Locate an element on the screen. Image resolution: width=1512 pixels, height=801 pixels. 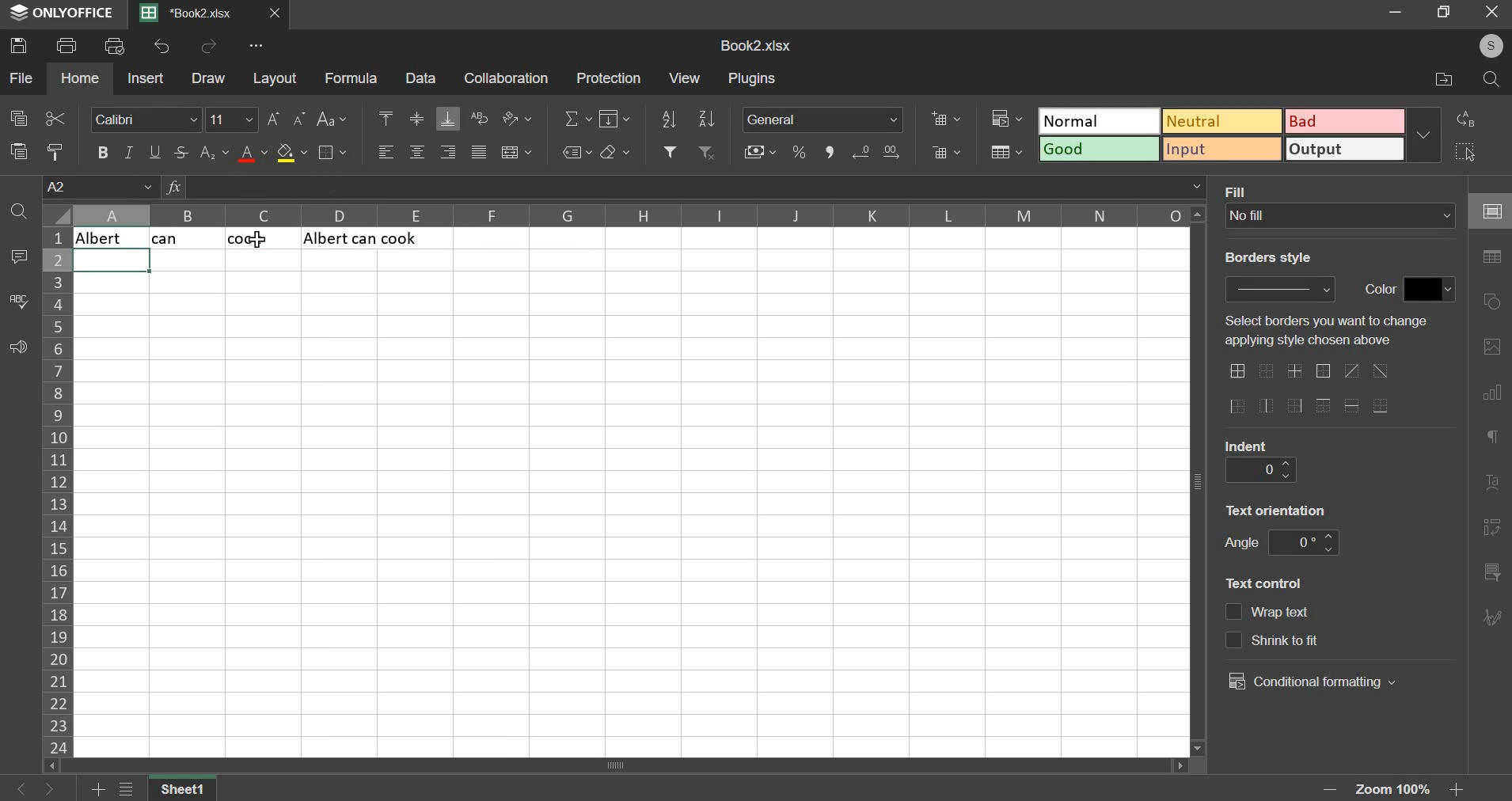
view all sheets is located at coordinates (135, 790).